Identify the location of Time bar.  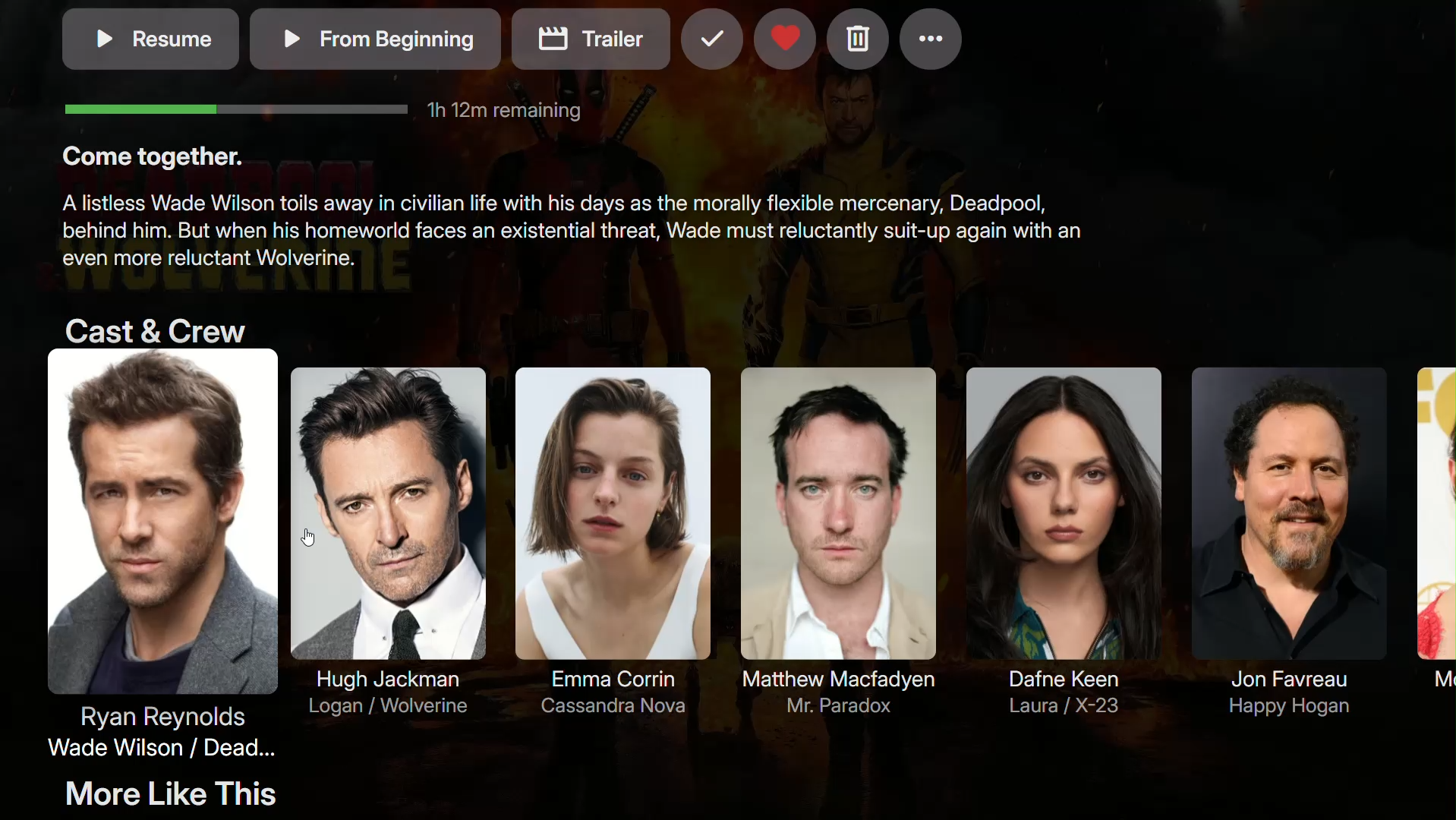
(323, 106).